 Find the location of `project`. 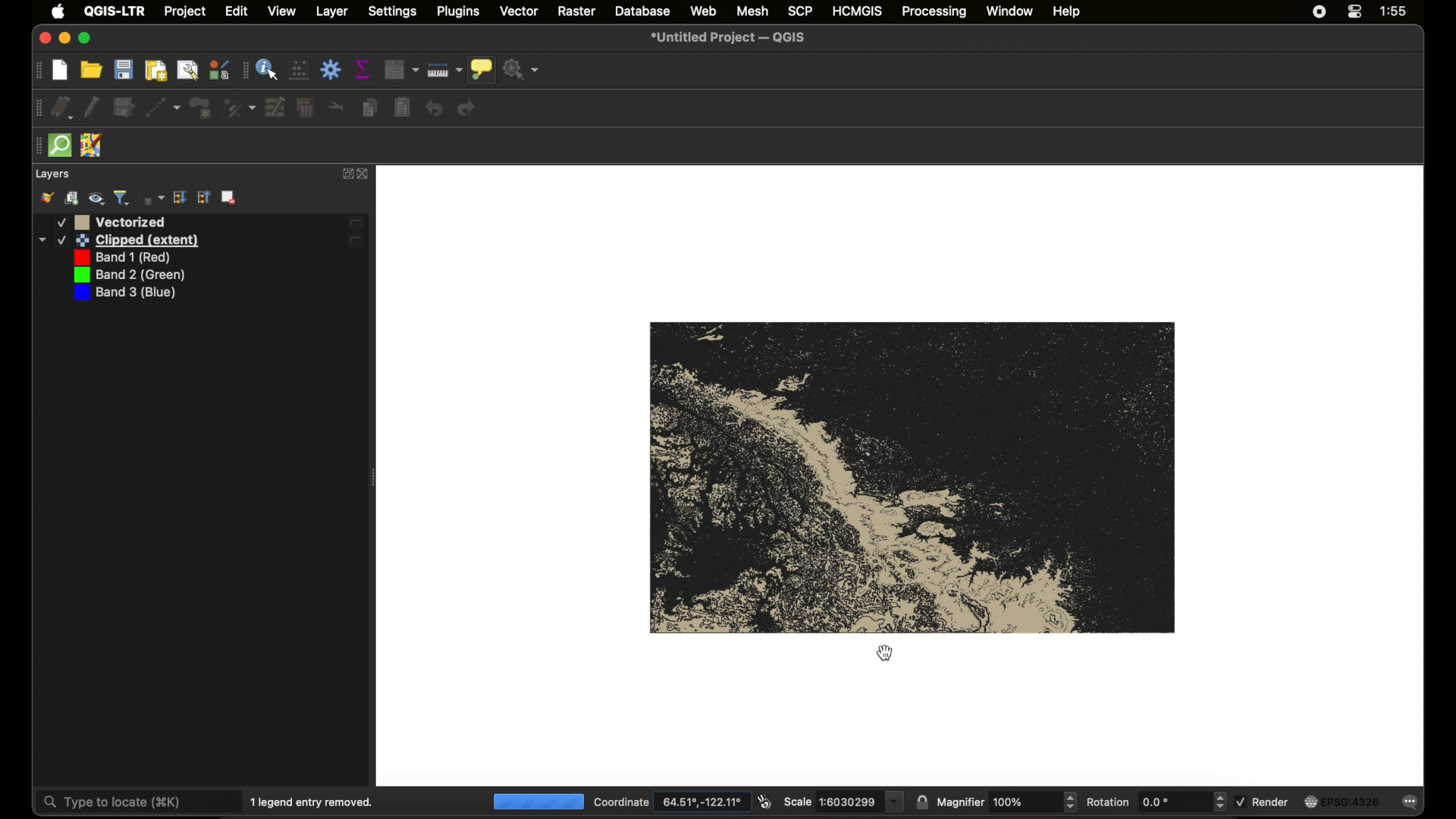

project is located at coordinates (186, 12).